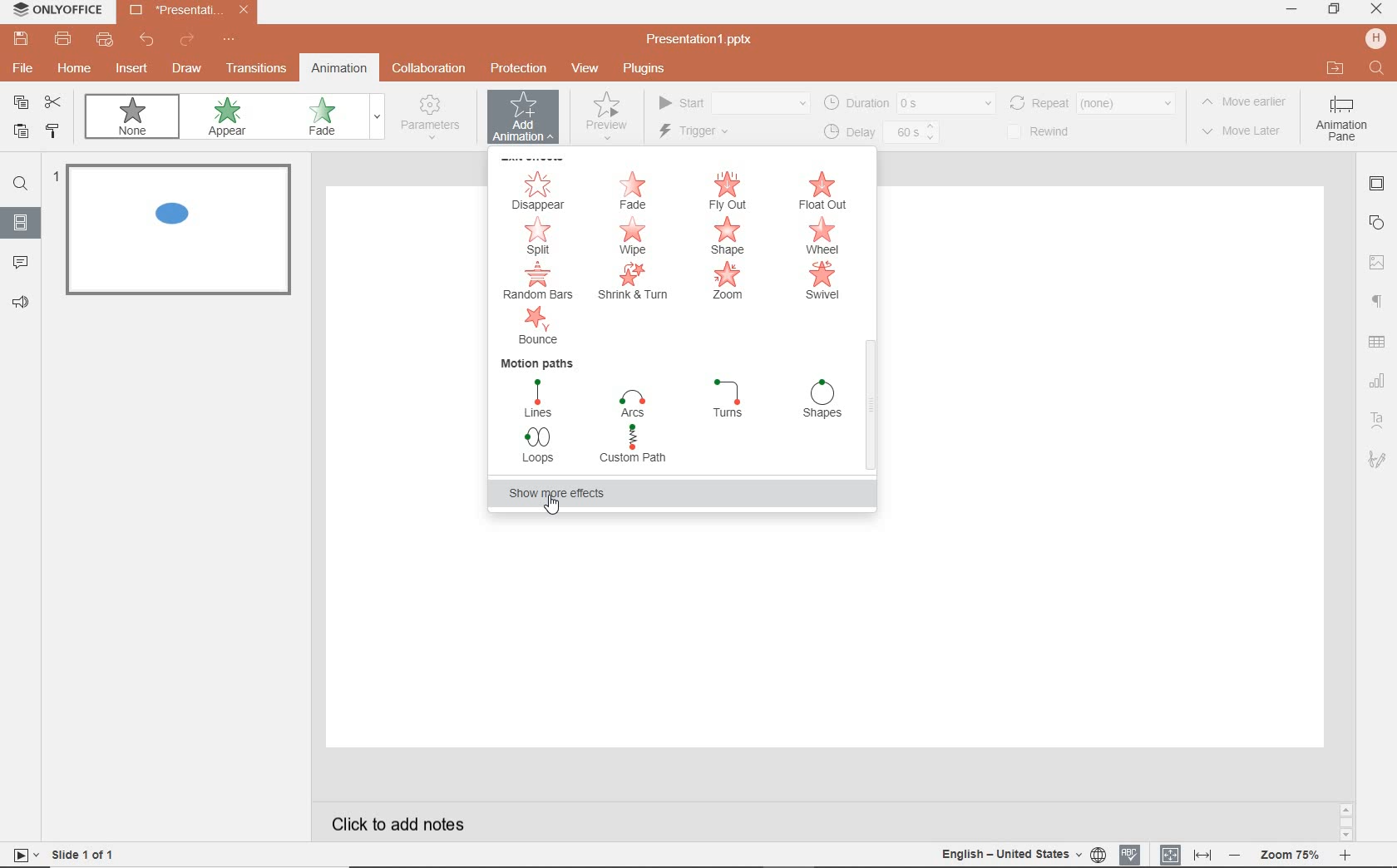  Describe the element at coordinates (539, 190) in the screenshot. I see `DISAPPEAR` at that location.